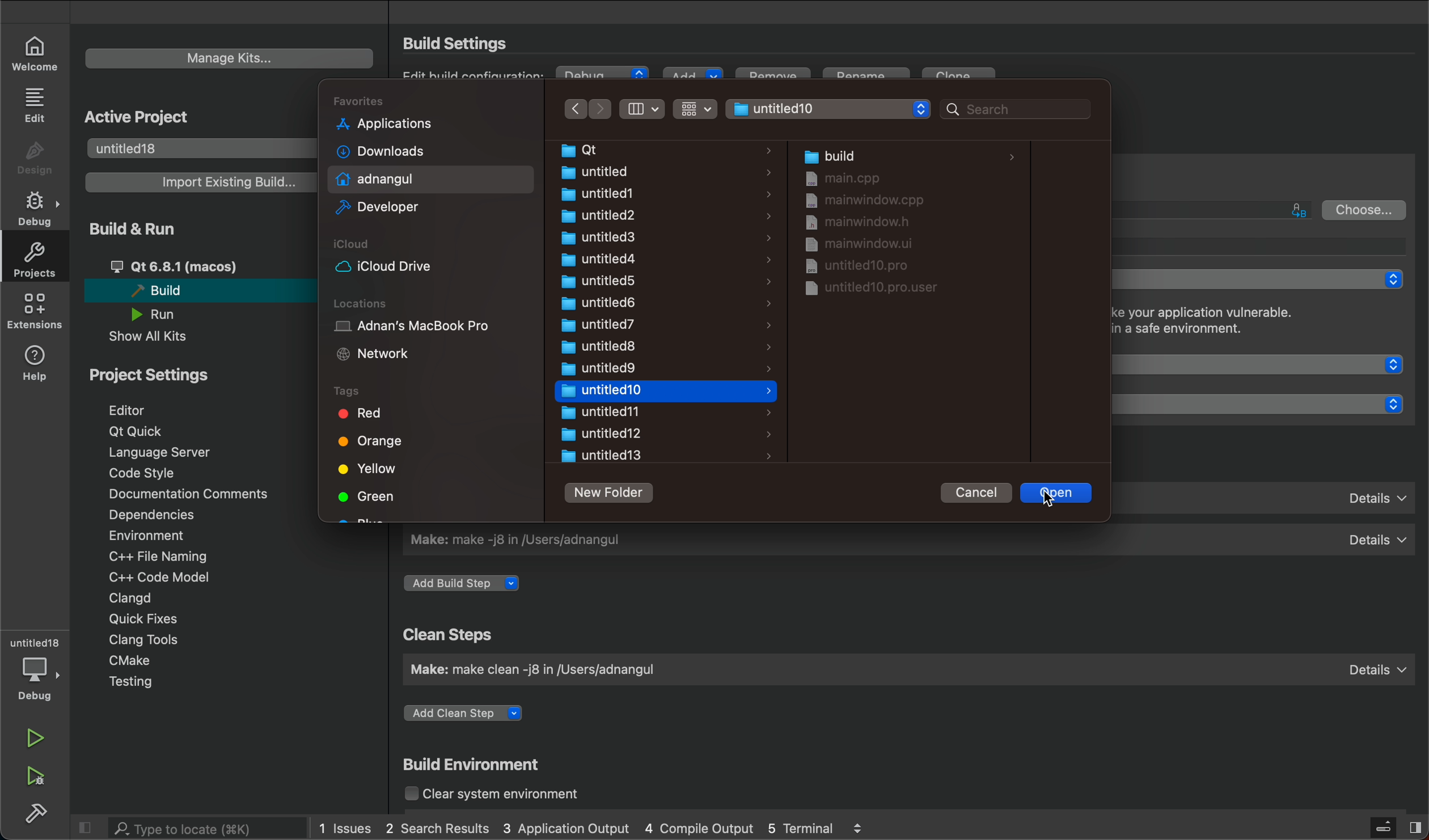 The image size is (1429, 840). What do you see at coordinates (1375, 665) in the screenshot?
I see `Details` at bounding box center [1375, 665].